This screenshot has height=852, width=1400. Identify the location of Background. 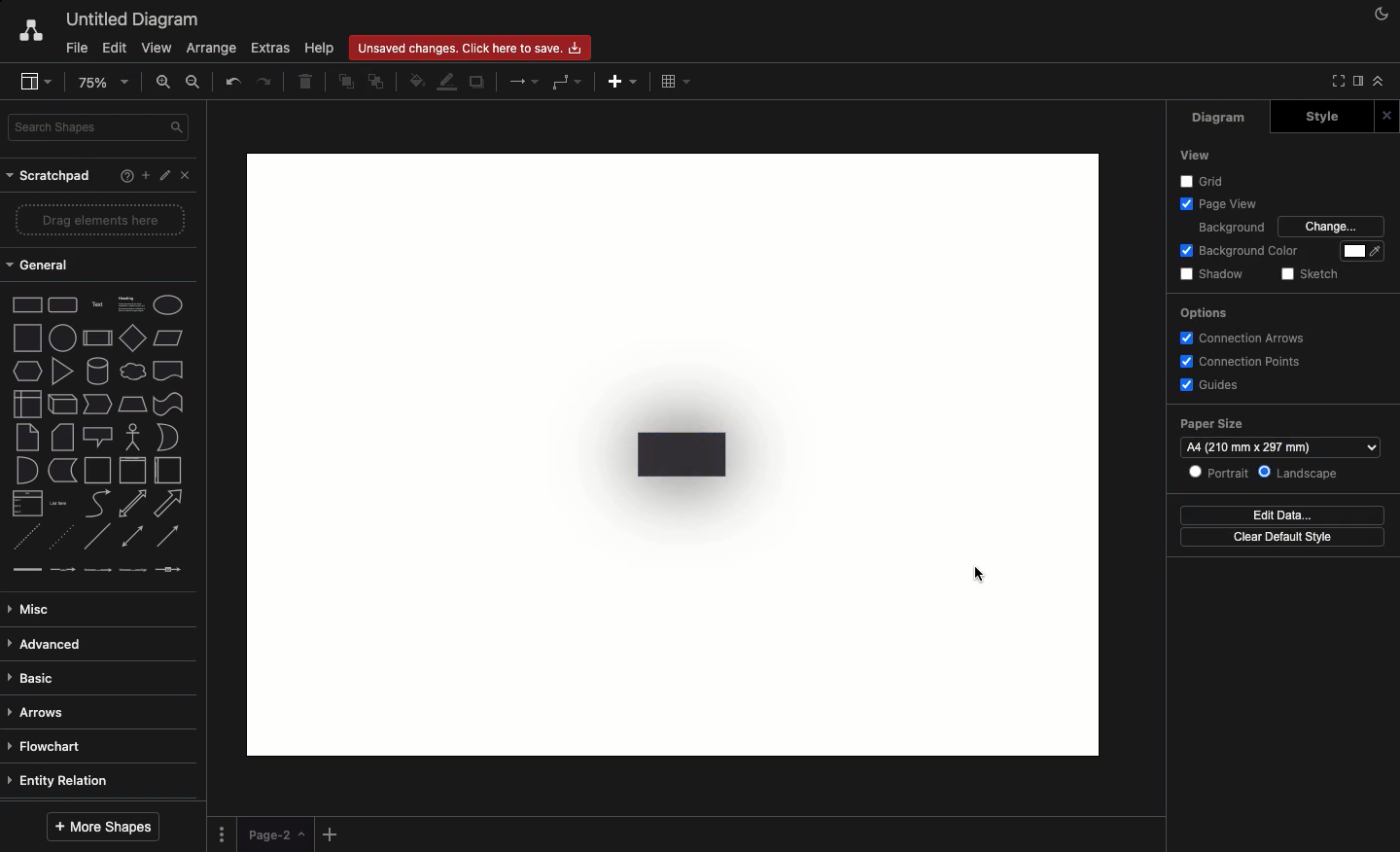
(1231, 228).